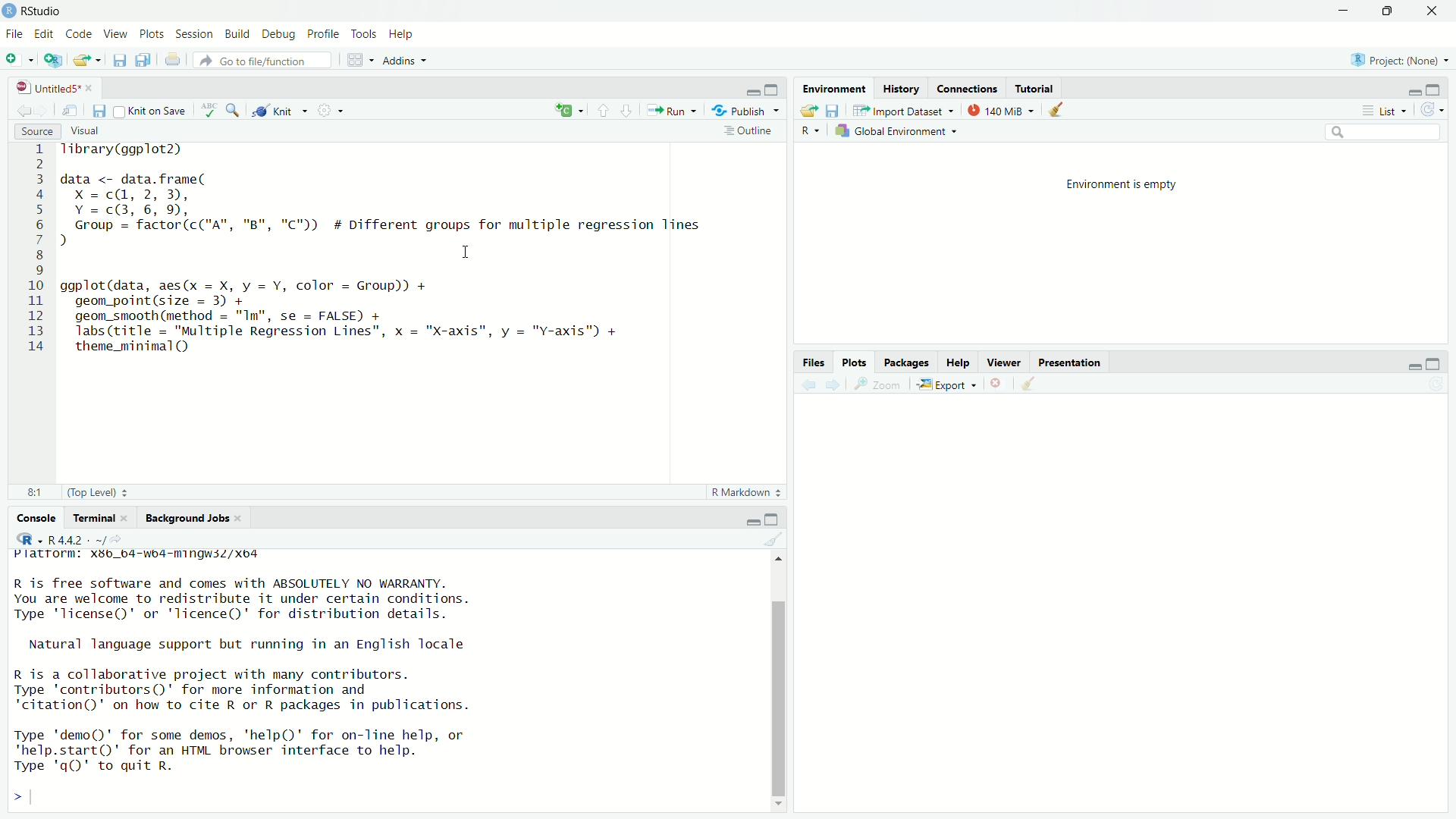 The height and width of the screenshot is (819, 1456). I want to click on RStudio, so click(36, 11).